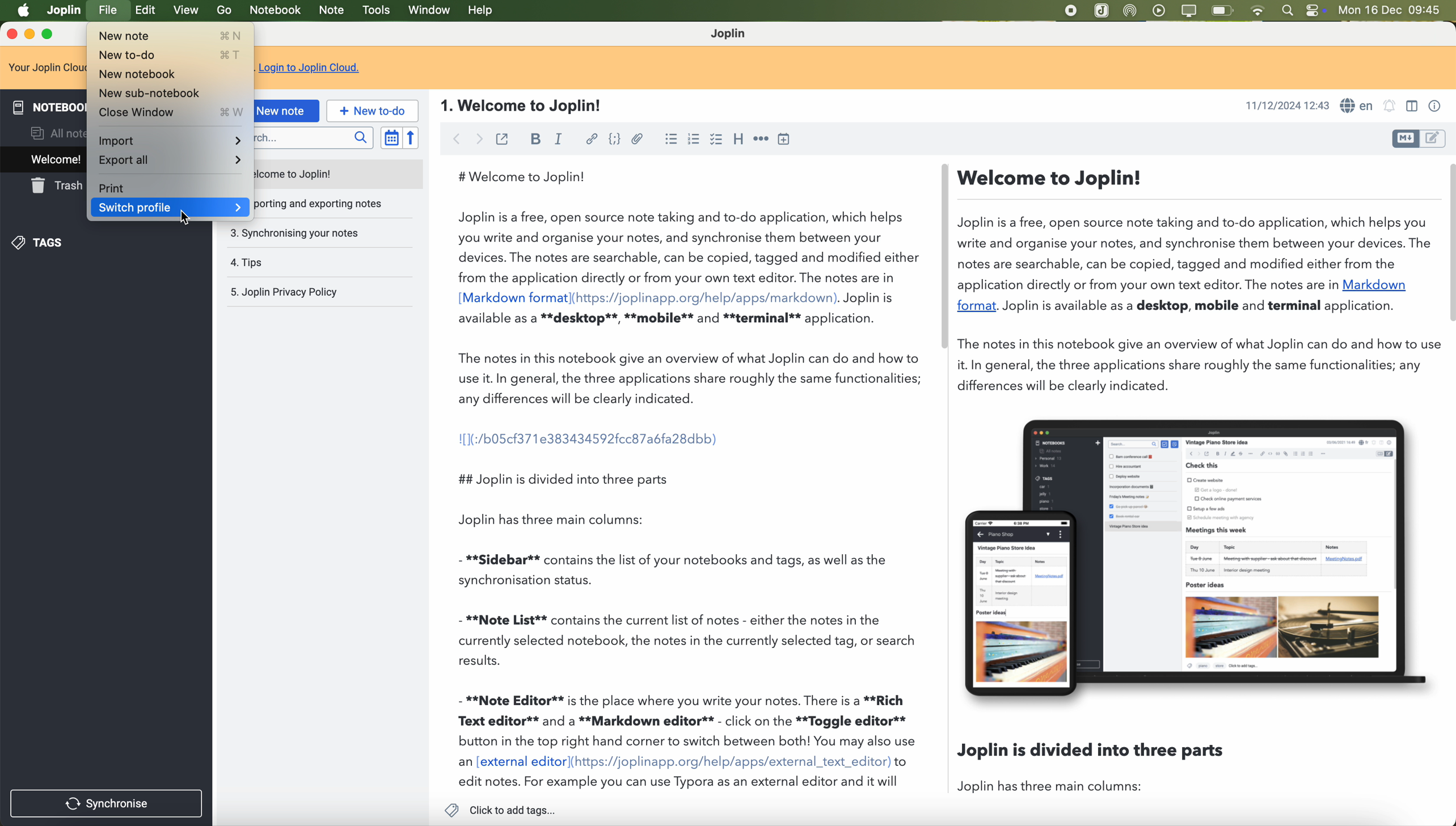  I want to click on checkbox, so click(718, 140).